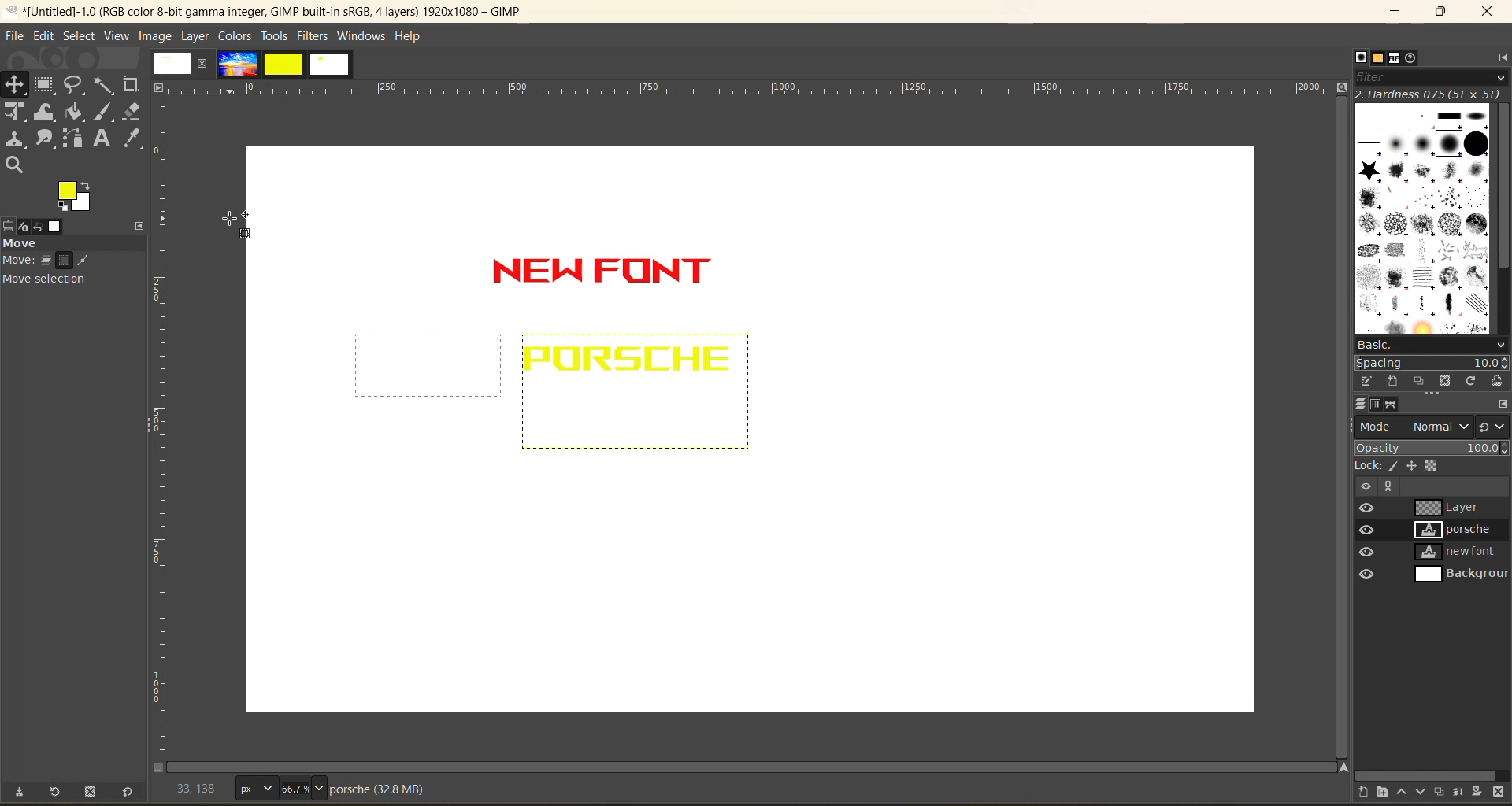  What do you see at coordinates (1421, 220) in the screenshot?
I see `brushes` at bounding box center [1421, 220].